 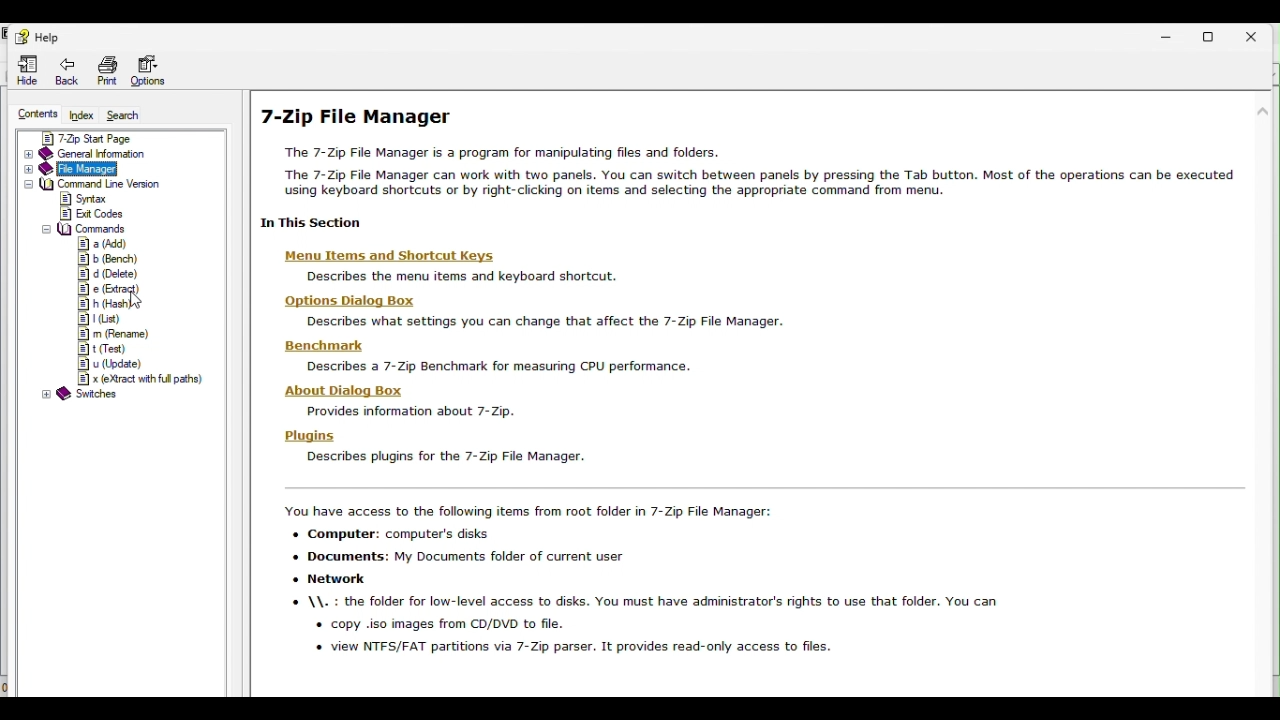 I want to click on h(hash), so click(x=98, y=303).